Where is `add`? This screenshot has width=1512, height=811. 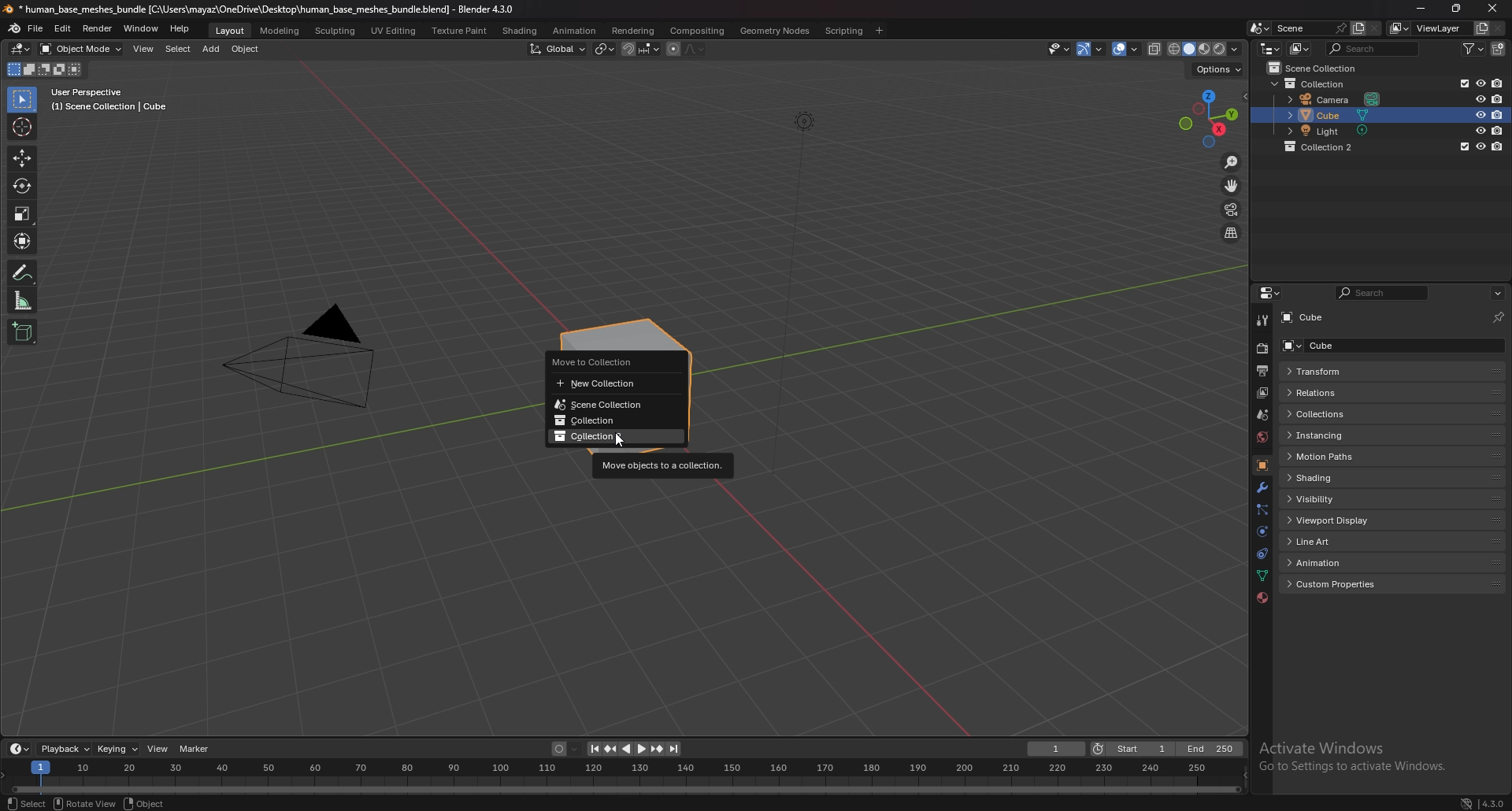
add is located at coordinates (211, 49).